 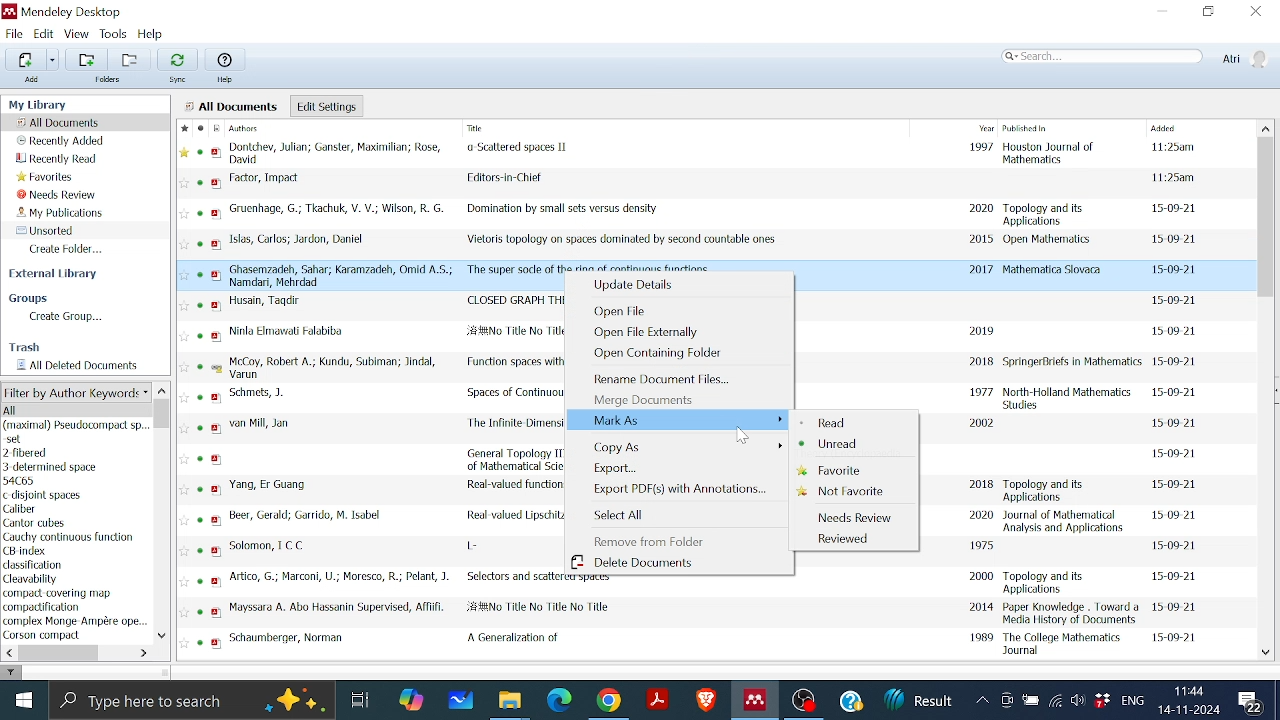 What do you see at coordinates (38, 104) in the screenshot?
I see `My Library` at bounding box center [38, 104].